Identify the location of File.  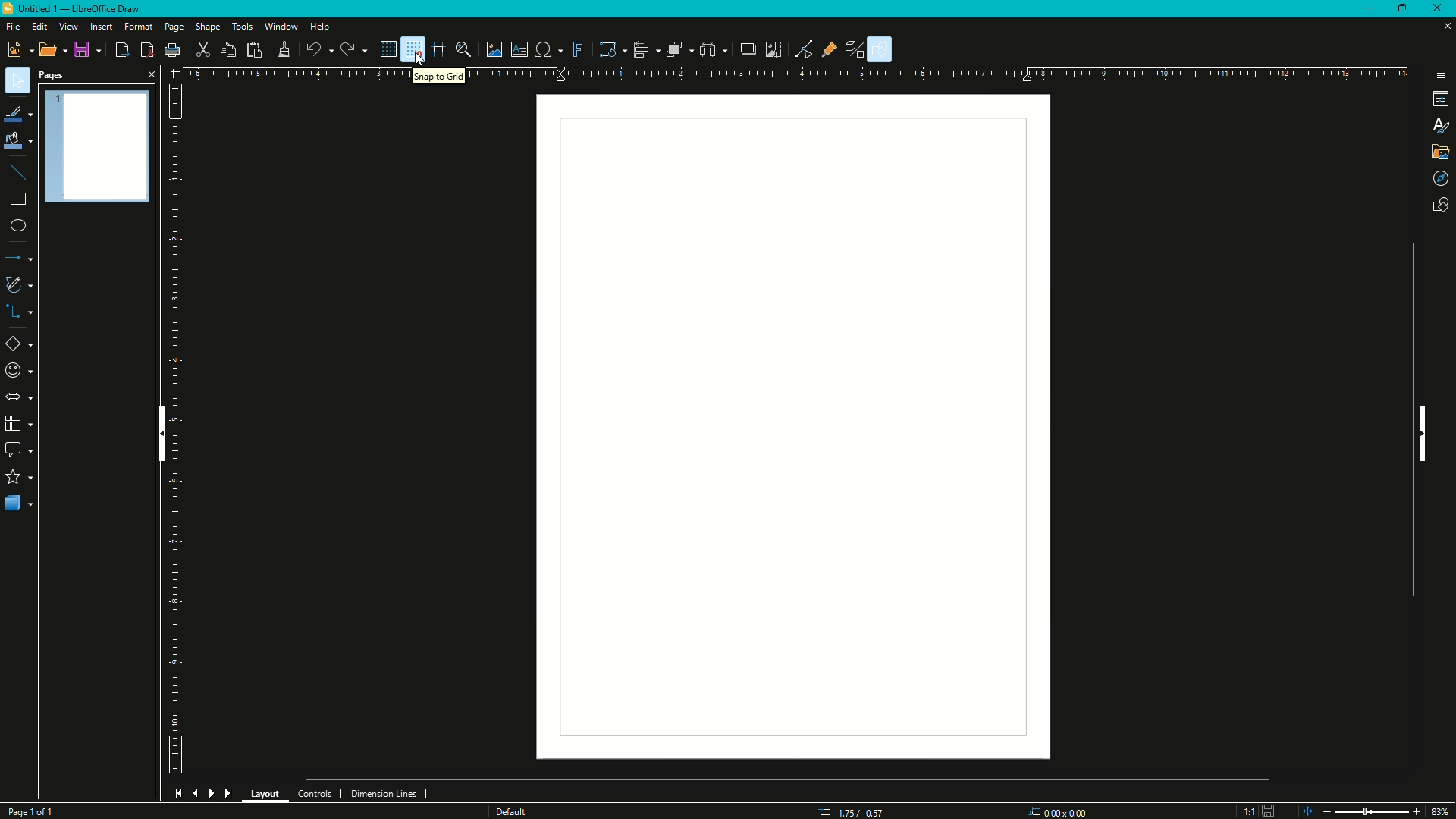
(14, 28).